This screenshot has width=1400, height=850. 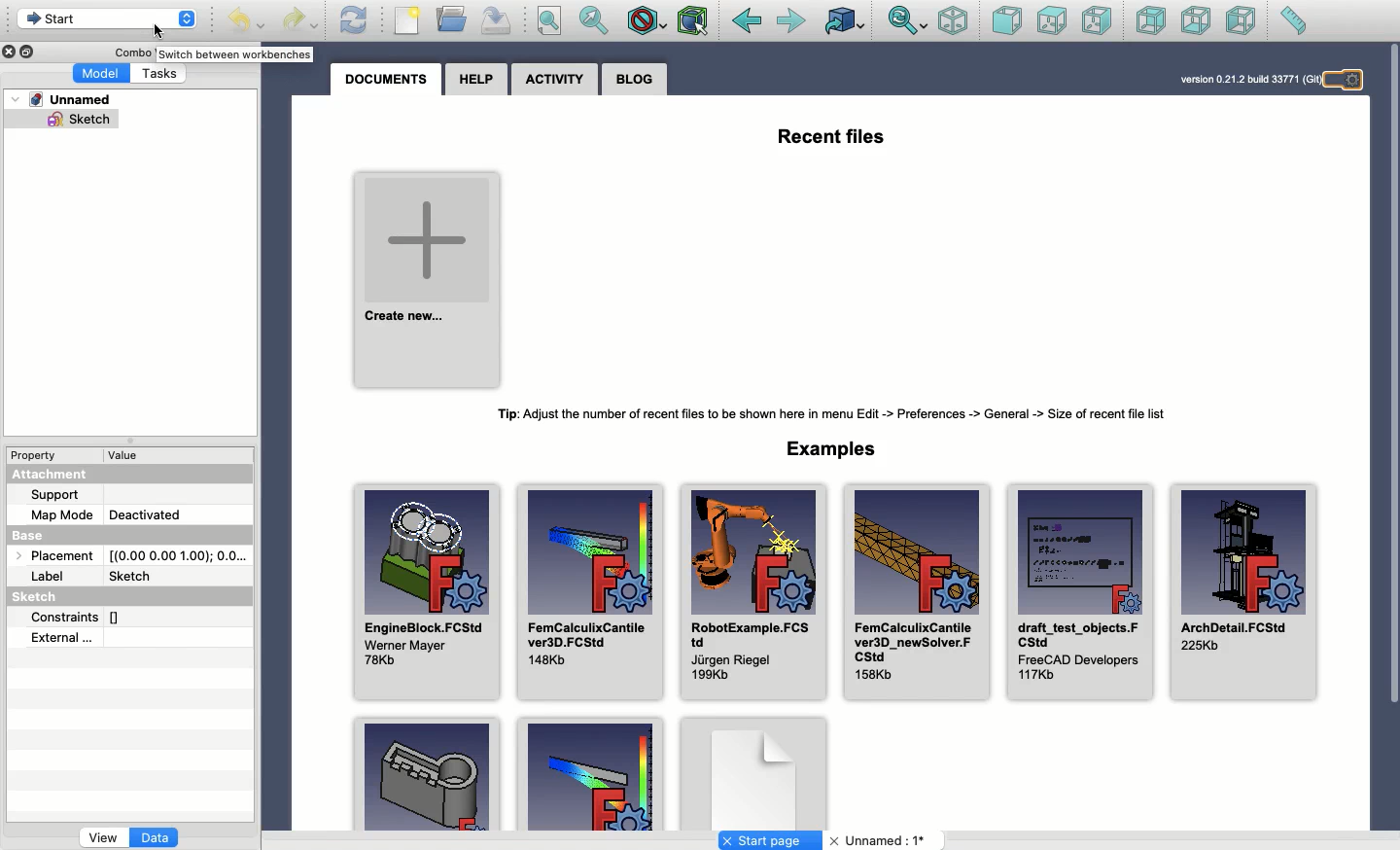 What do you see at coordinates (58, 515) in the screenshot?
I see `Map mode` at bounding box center [58, 515].